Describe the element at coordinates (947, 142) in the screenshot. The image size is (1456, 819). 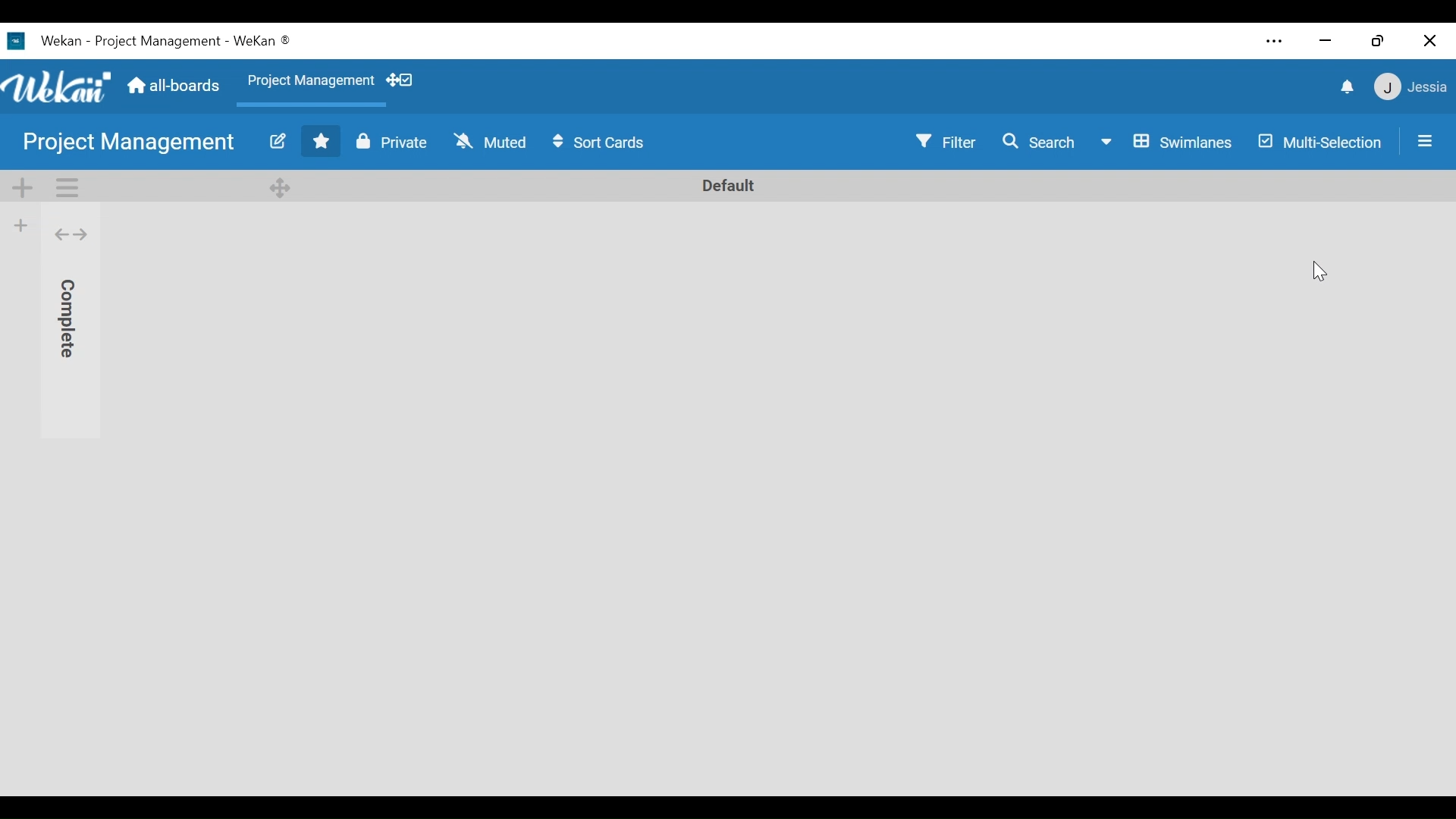
I see `Filter` at that location.